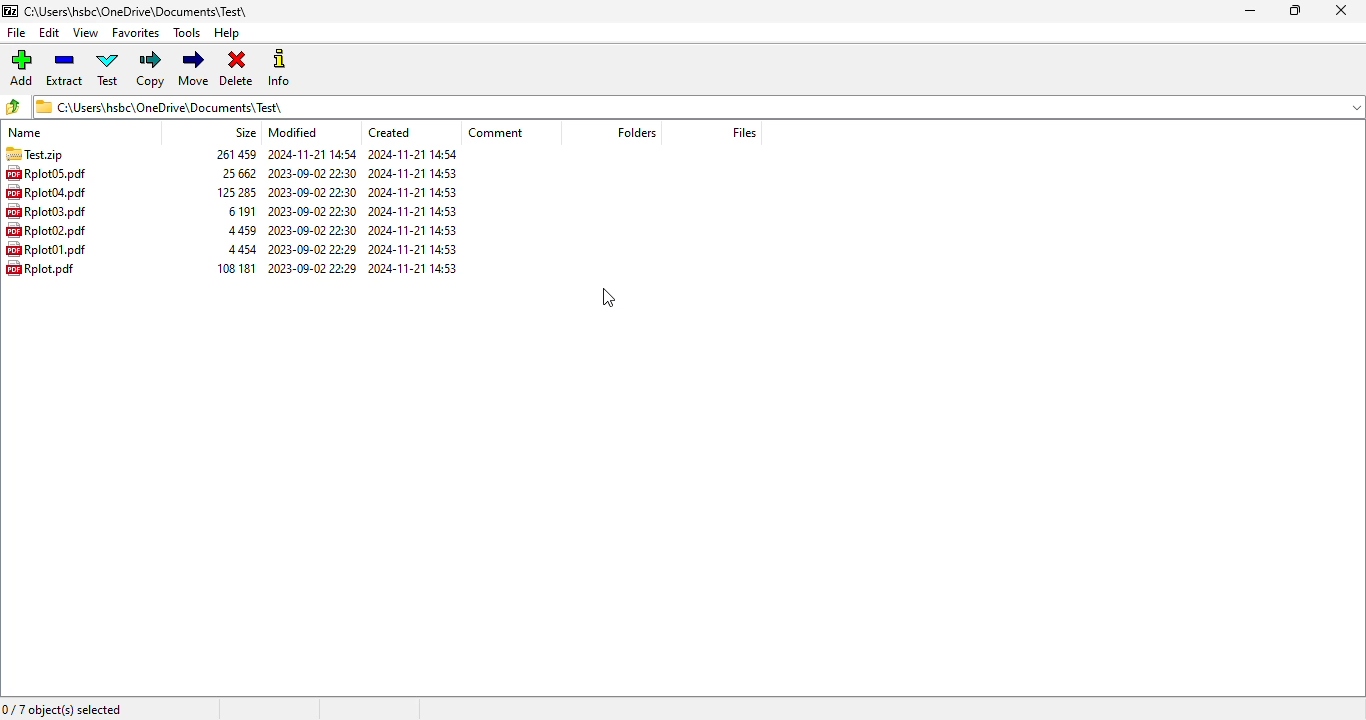  I want to click on size, so click(237, 267).